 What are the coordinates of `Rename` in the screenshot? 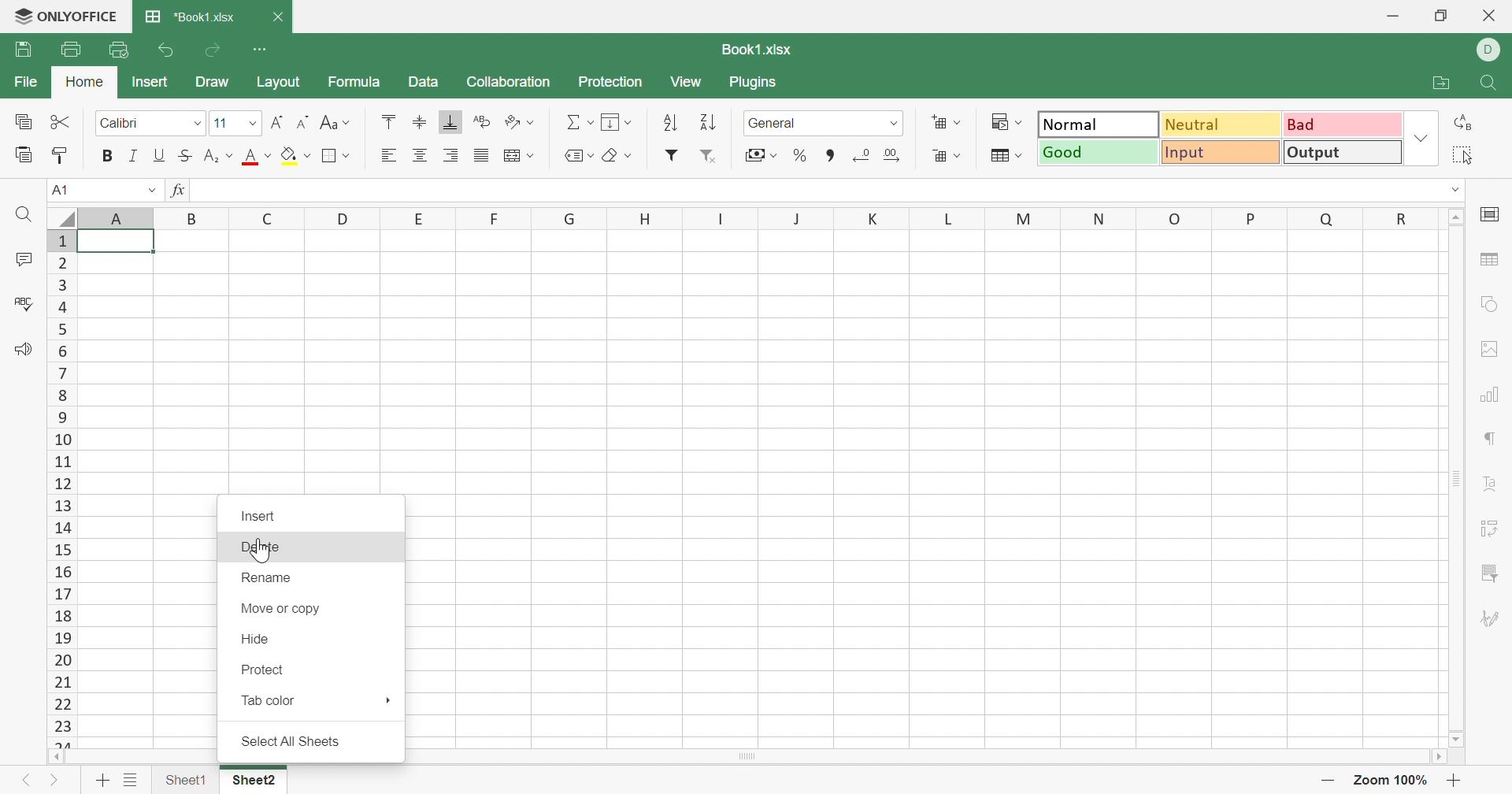 It's located at (270, 577).